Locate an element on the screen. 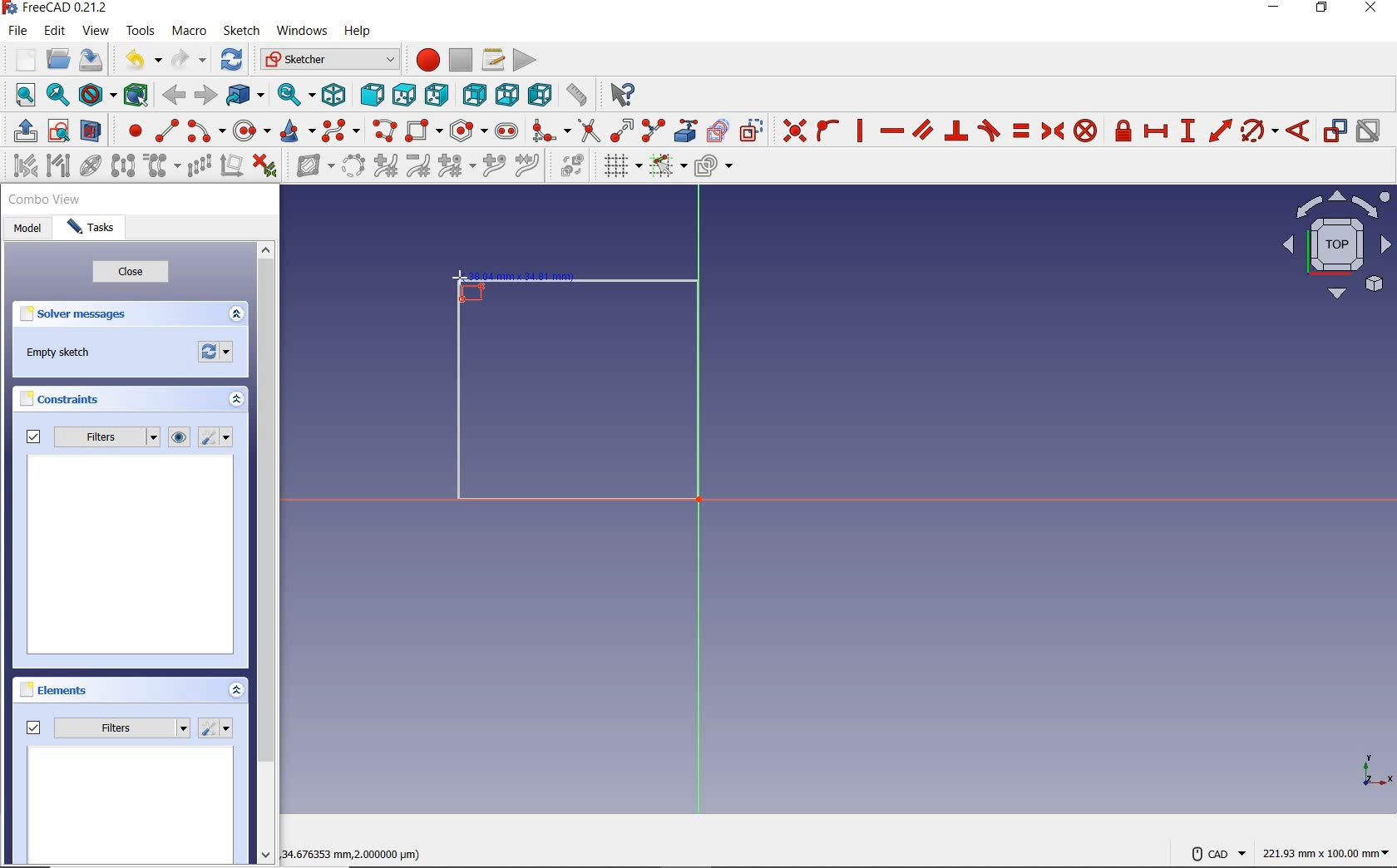 Image resolution: width=1397 pixels, height=868 pixels. toggle construction geometry is located at coordinates (753, 131).